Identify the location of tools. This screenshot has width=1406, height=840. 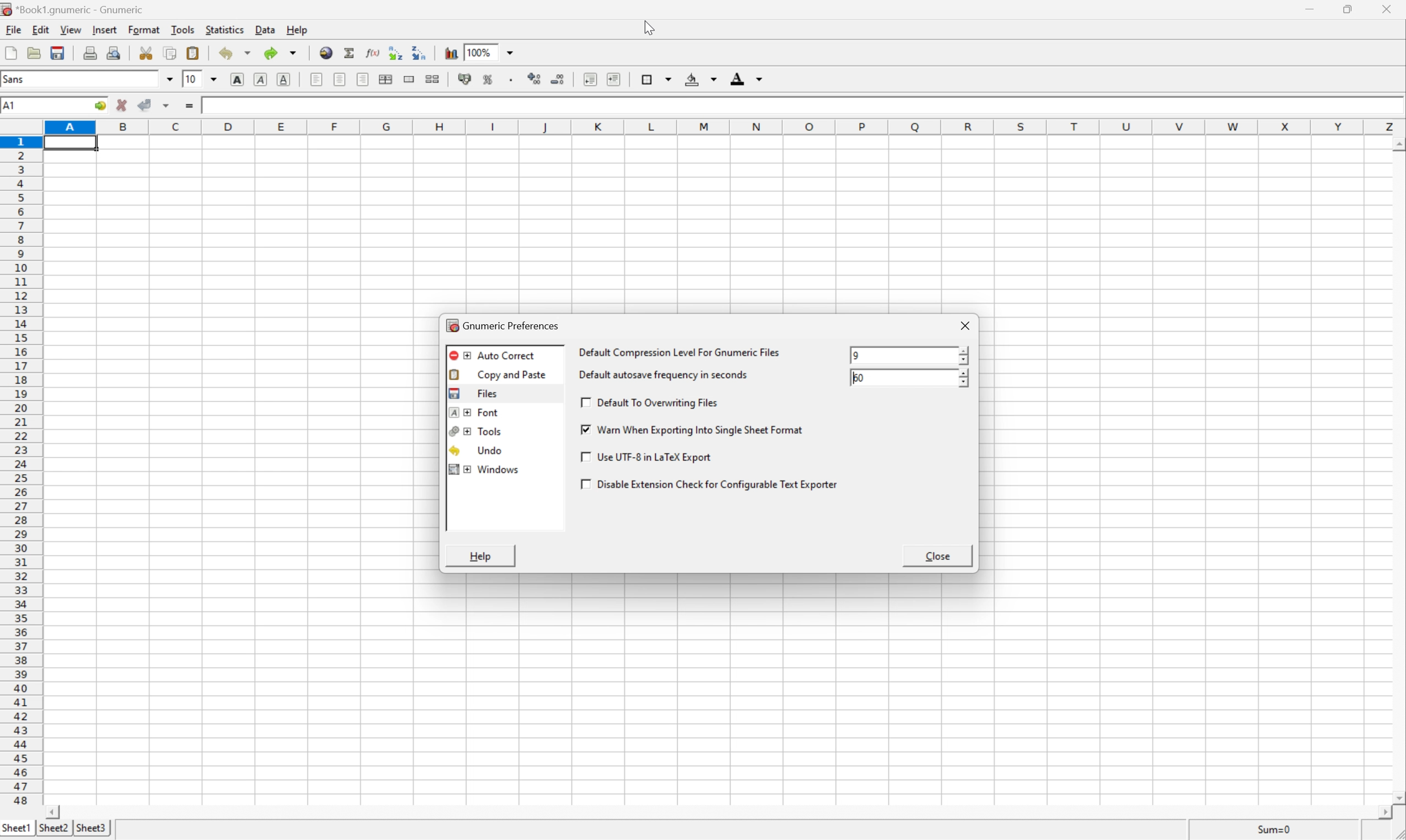
(476, 433).